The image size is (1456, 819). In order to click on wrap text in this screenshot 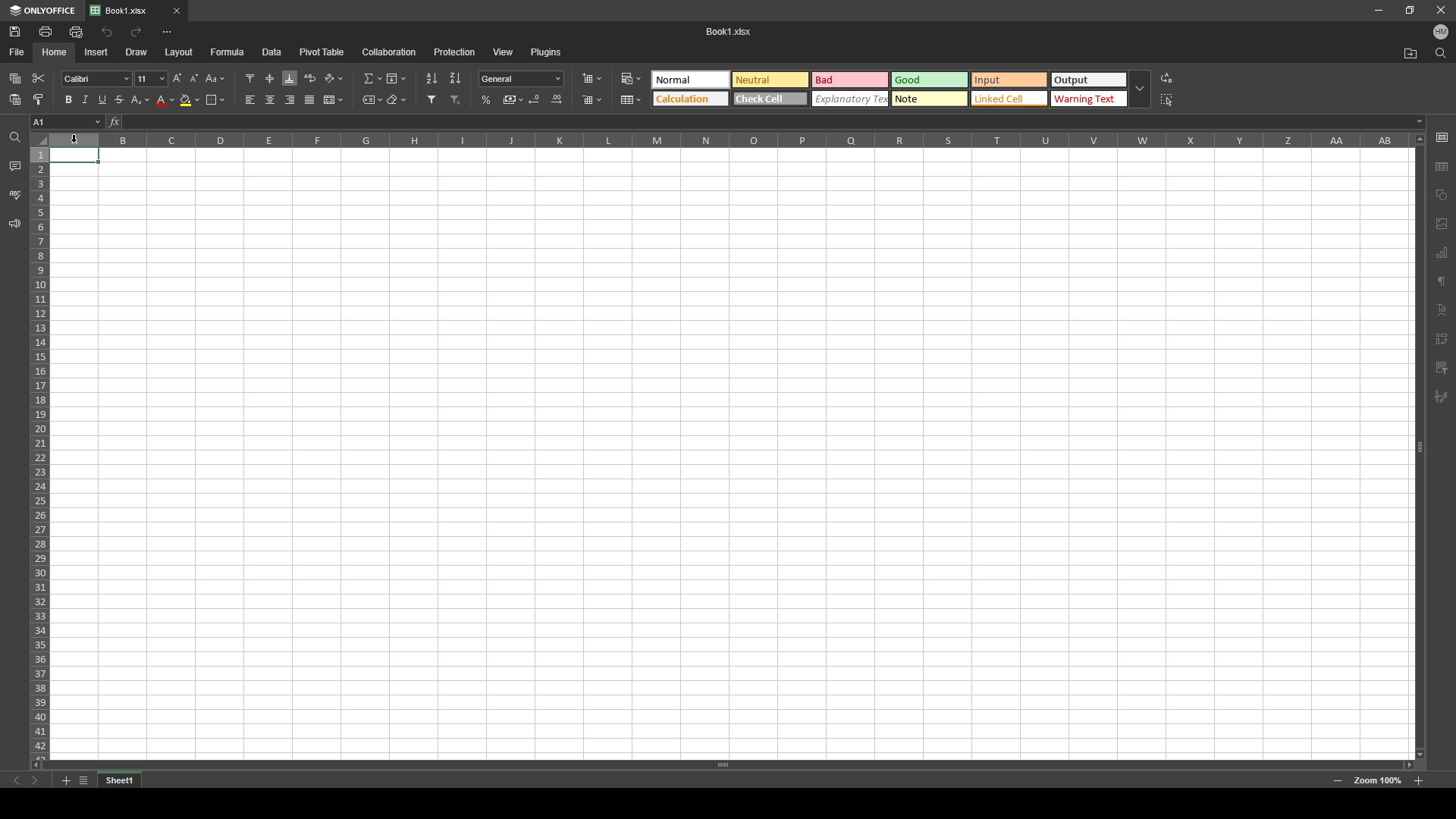, I will do `click(311, 77)`.